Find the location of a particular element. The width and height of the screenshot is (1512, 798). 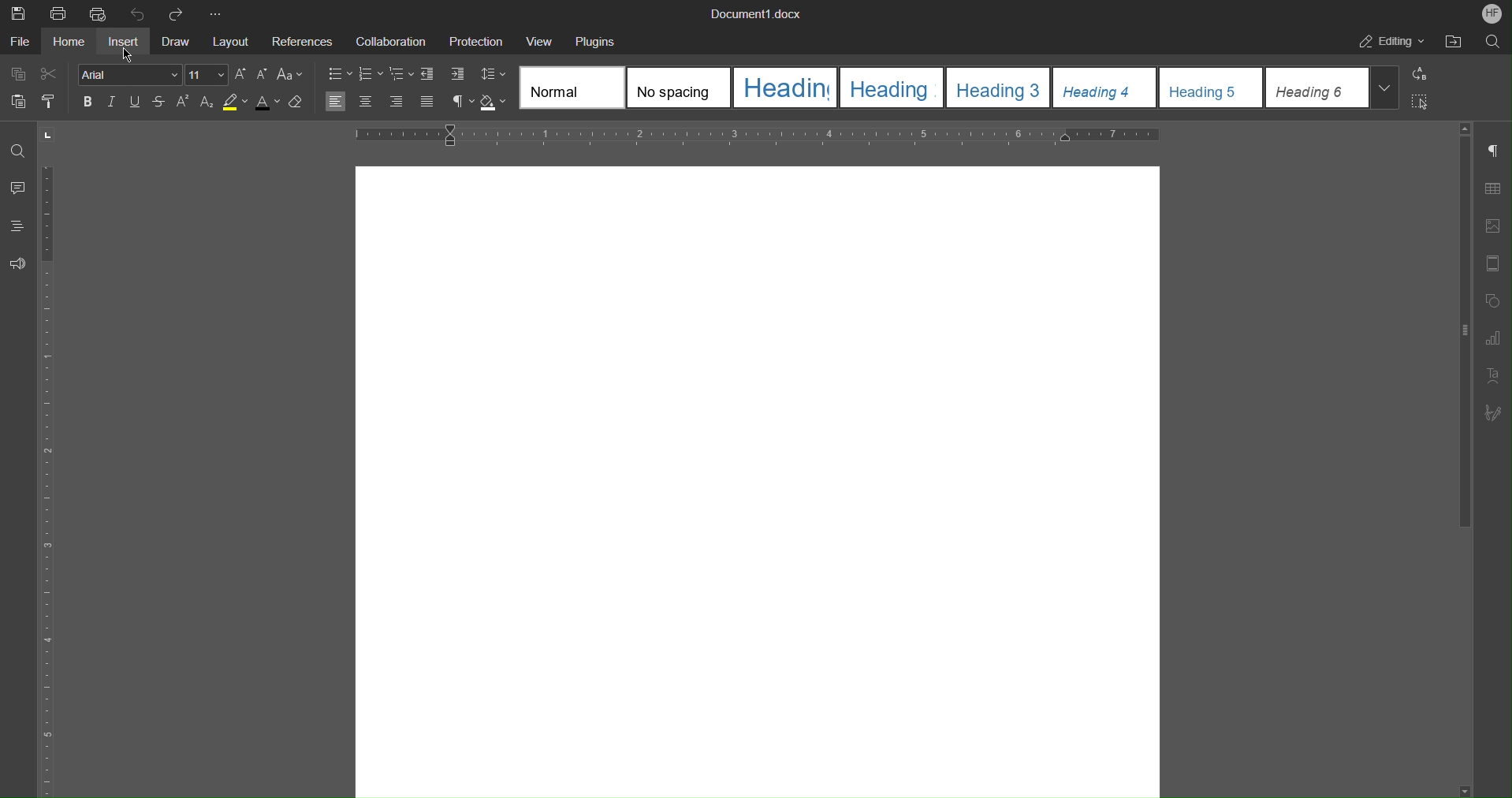

Font is located at coordinates (130, 75).